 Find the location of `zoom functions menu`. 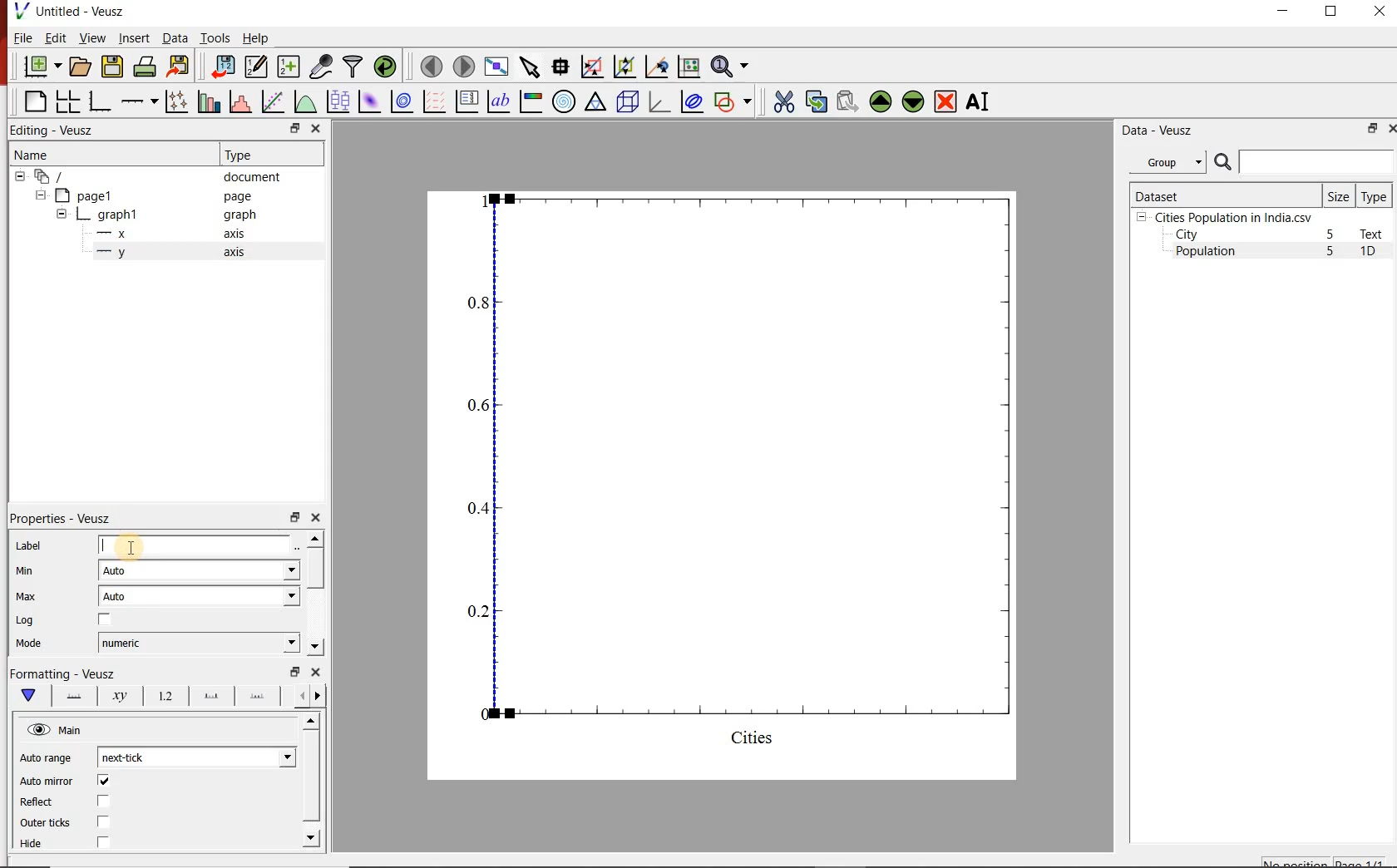

zoom functions menu is located at coordinates (733, 67).